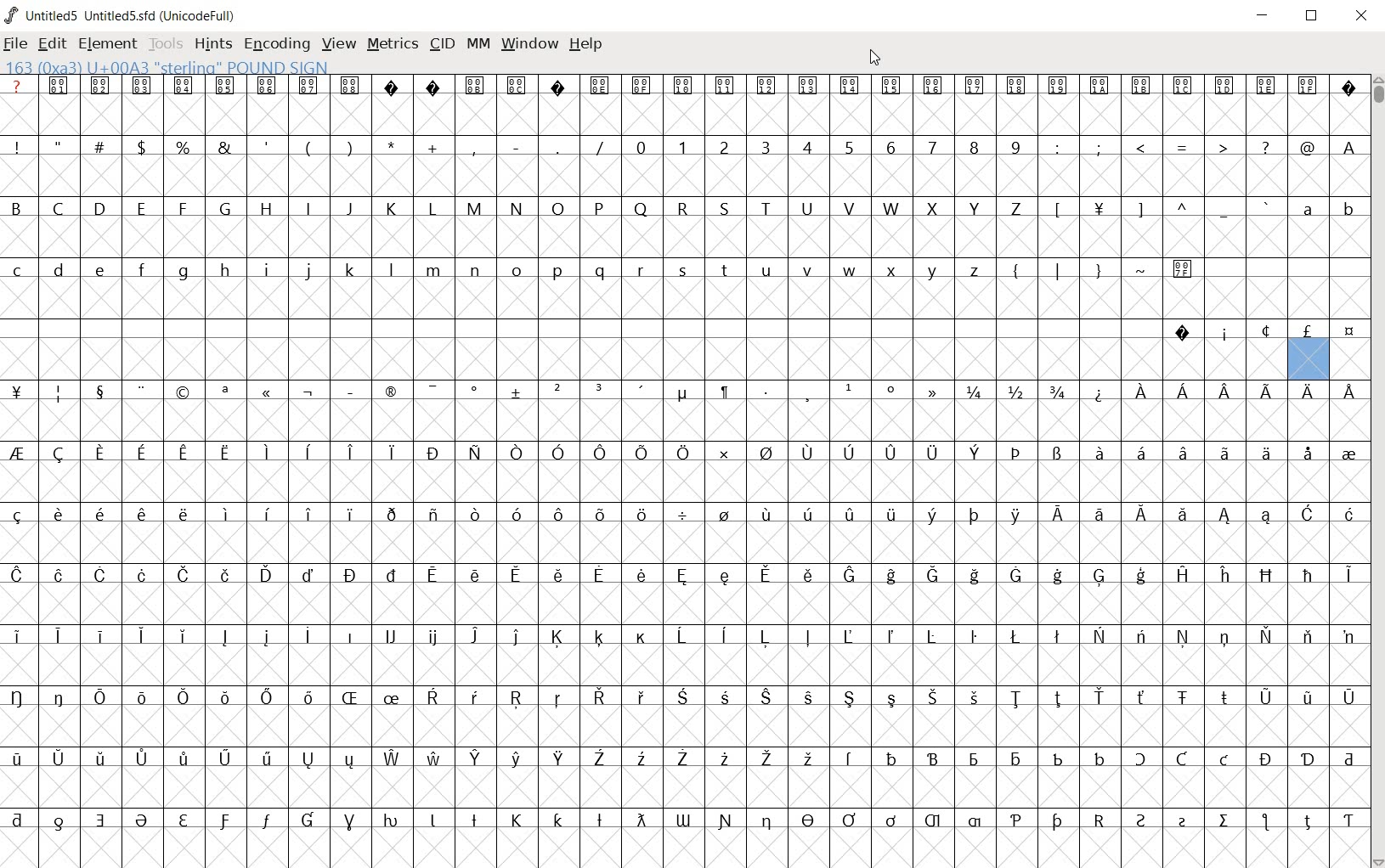 The image size is (1385, 868). Describe the element at coordinates (516, 146) in the screenshot. I see `-` at that location.